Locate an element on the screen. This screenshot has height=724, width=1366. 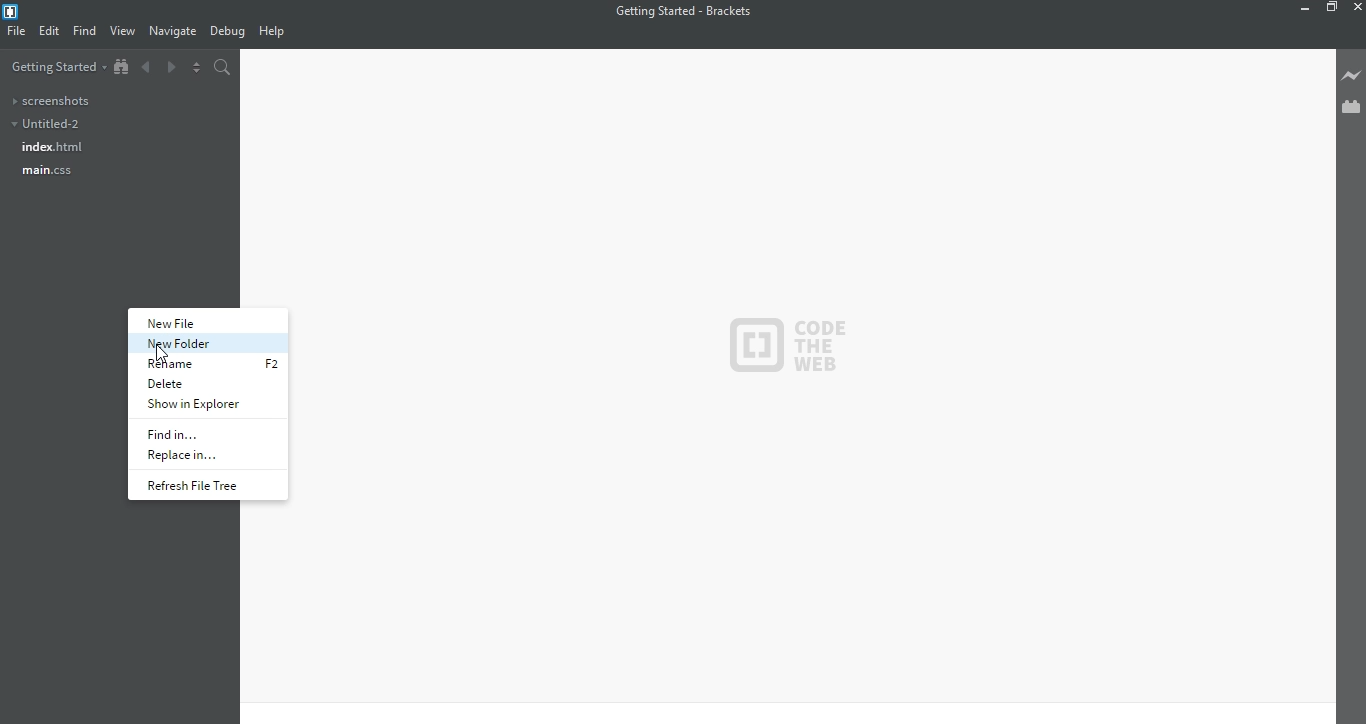
rename is located at coordinates (180, 363).